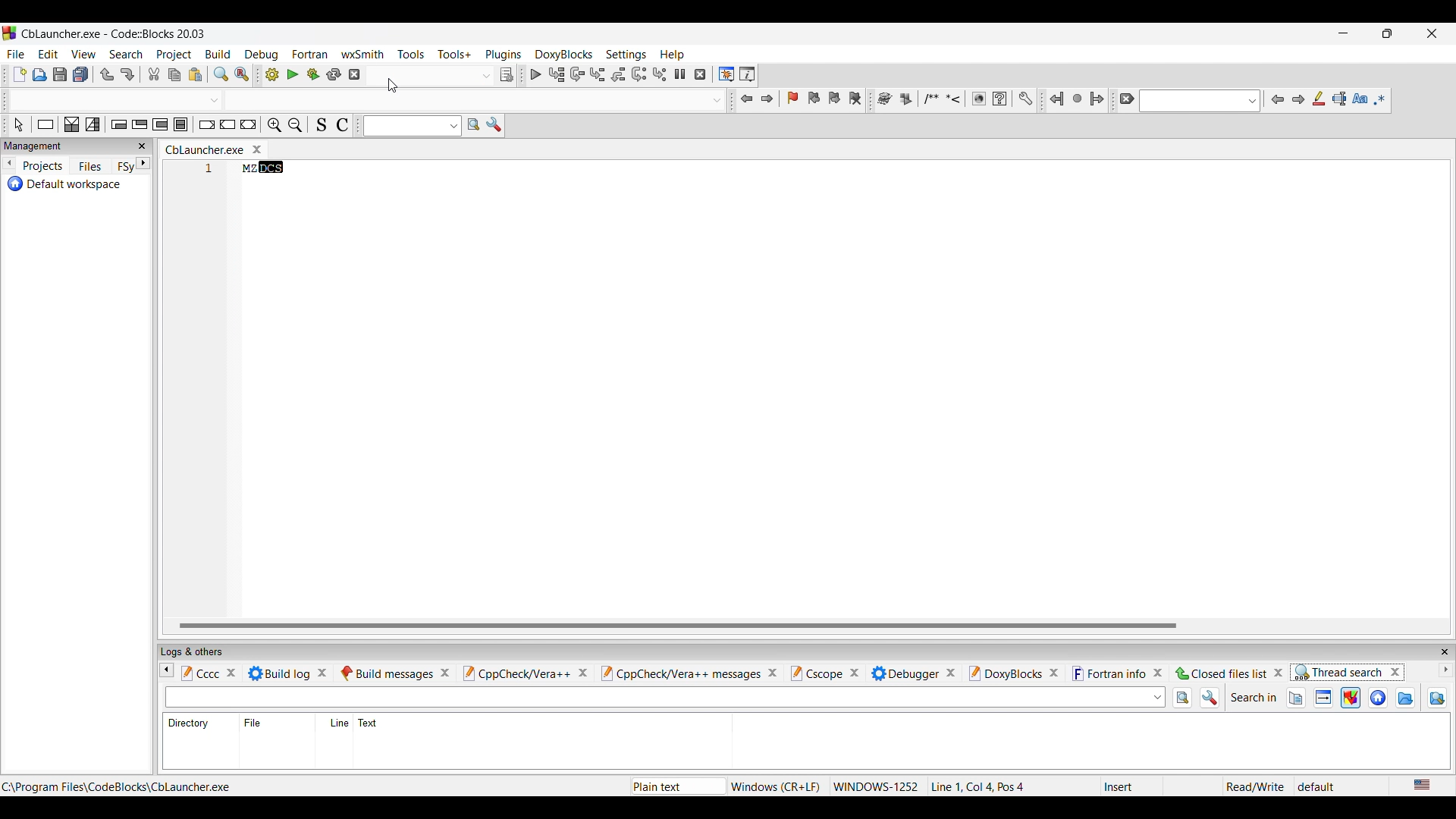  What do you see at coordinates (1445, 651) in the screenshot?
I see `Close panel` at bounding box center [1445, 651].